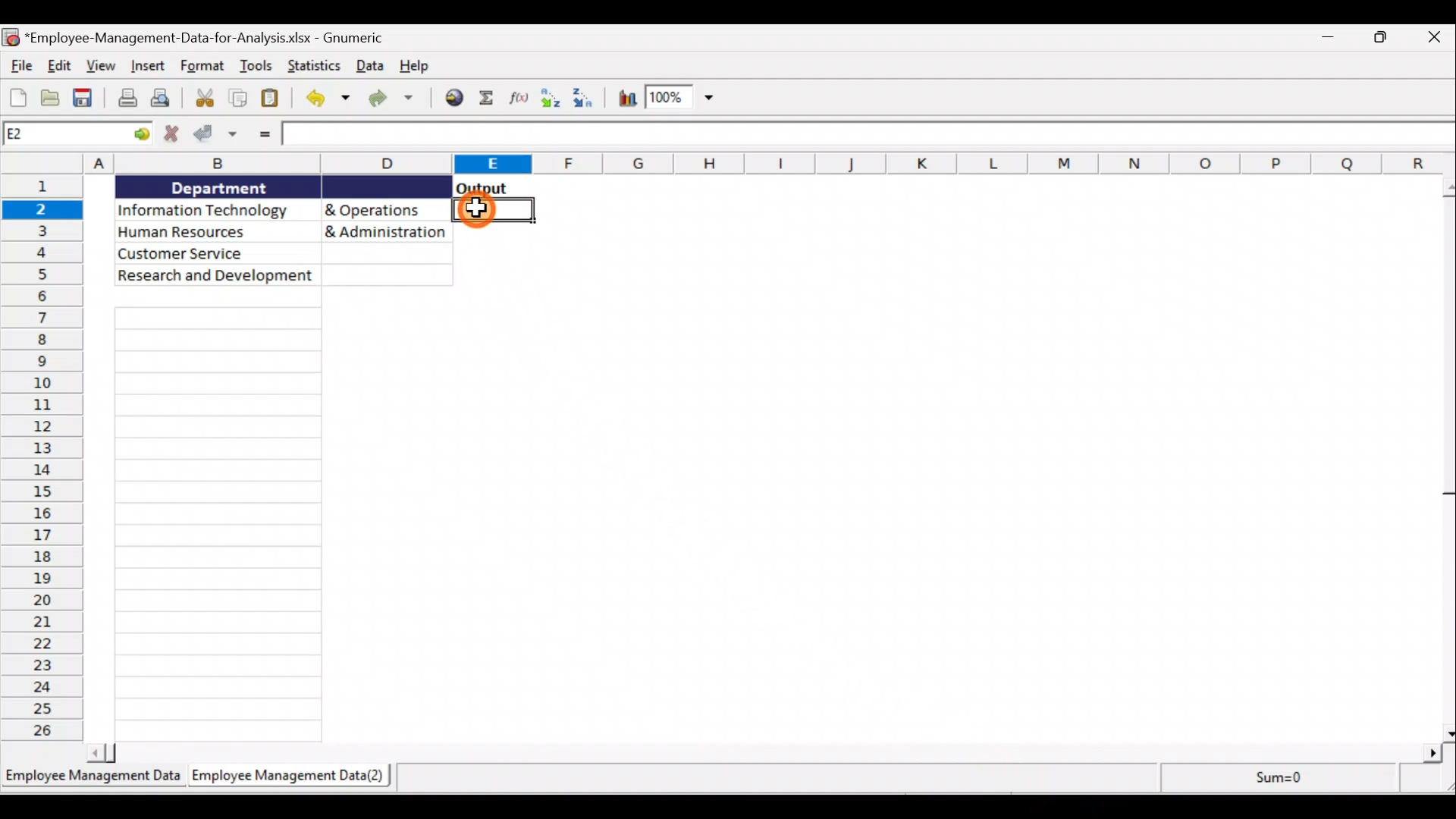 The image size is (1456, 819). What do you see at coordinates (212, 39) in the screenshot?
I see `Document name` at bounding box center [212, 39].